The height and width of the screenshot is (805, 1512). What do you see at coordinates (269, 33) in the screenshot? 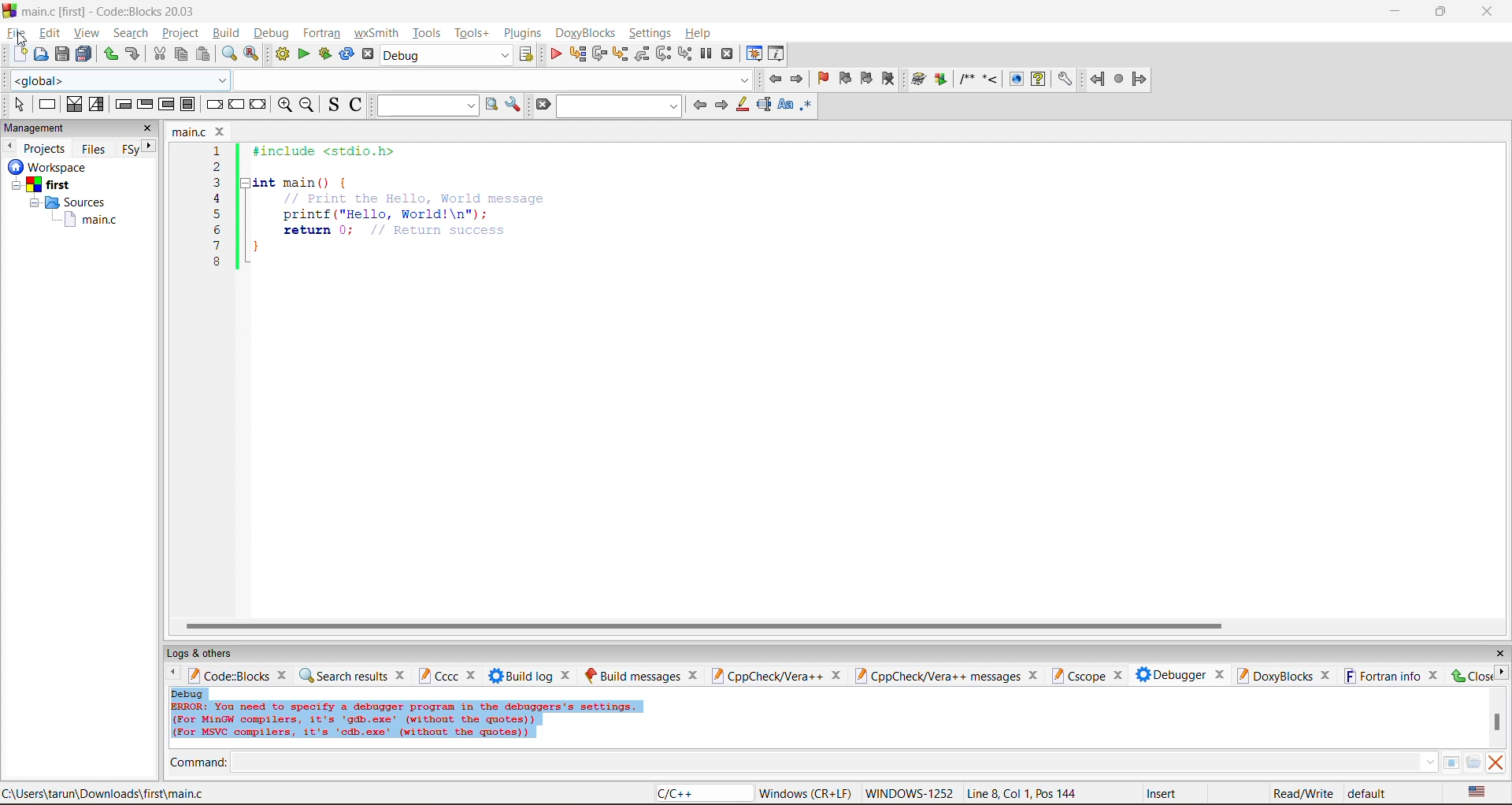
I see `debug` at bounding box center [269, 33].